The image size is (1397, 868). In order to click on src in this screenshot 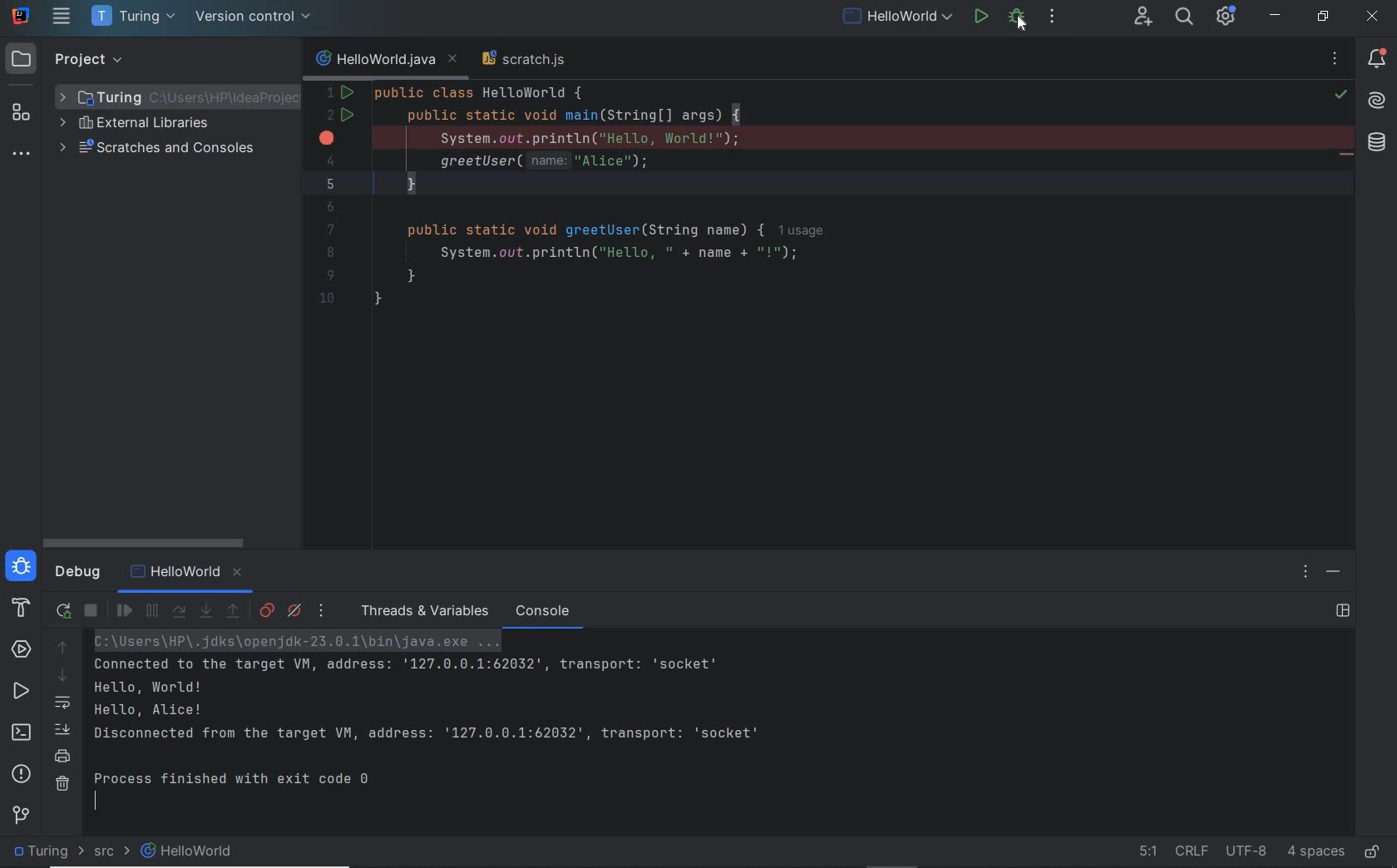, I will do `click(106, 852)`.